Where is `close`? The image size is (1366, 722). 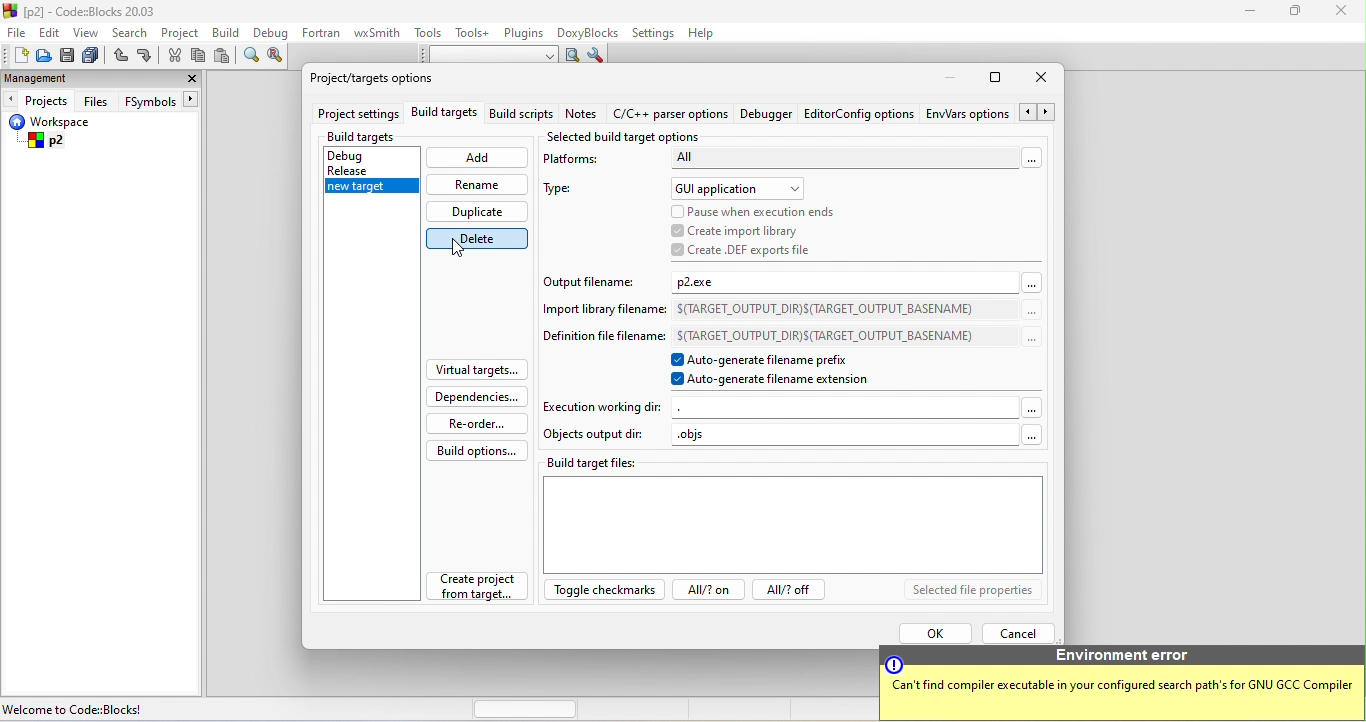
close is located at coordinates (1341, 15).